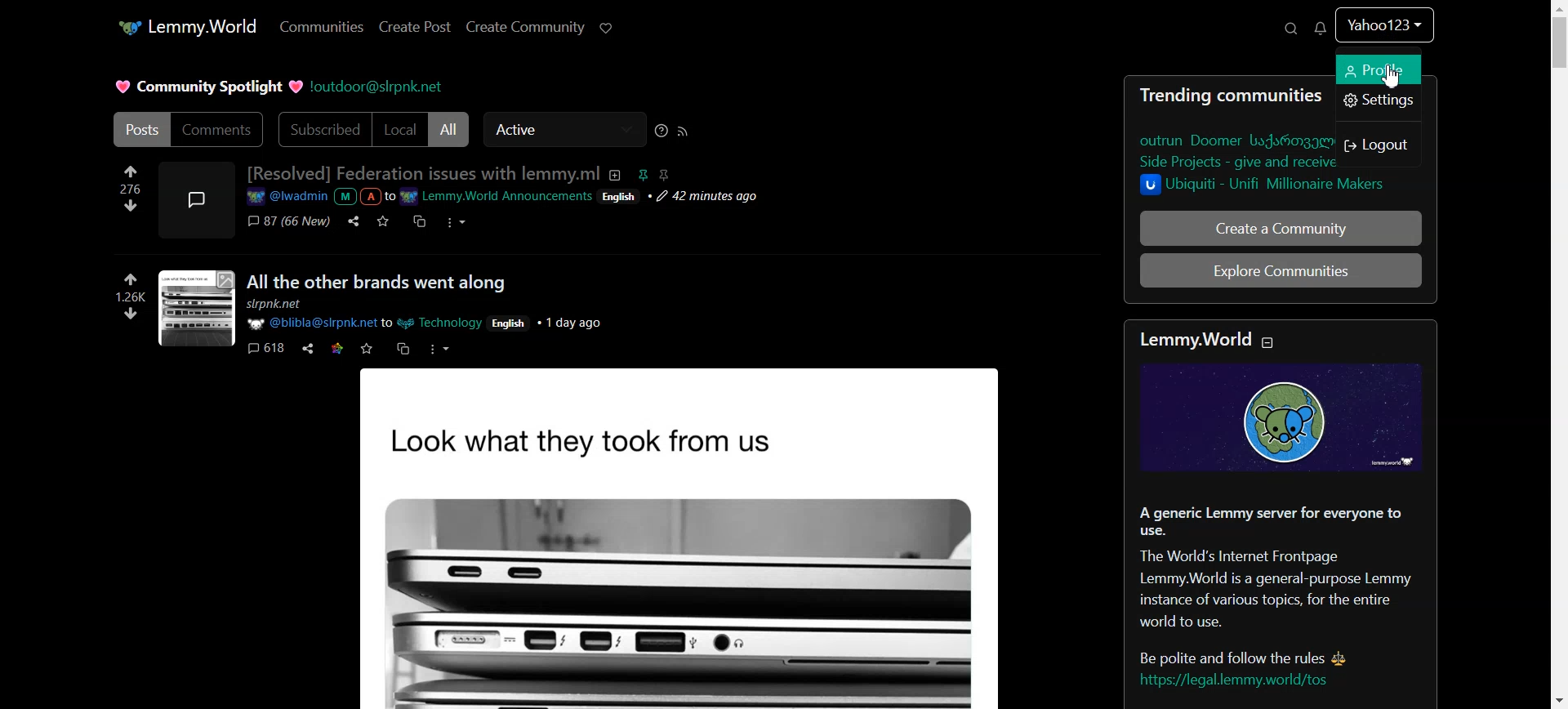  What do you see at coordinates (388, 323) in the screenshot?
I see `to` at bounding box center [388, 323].